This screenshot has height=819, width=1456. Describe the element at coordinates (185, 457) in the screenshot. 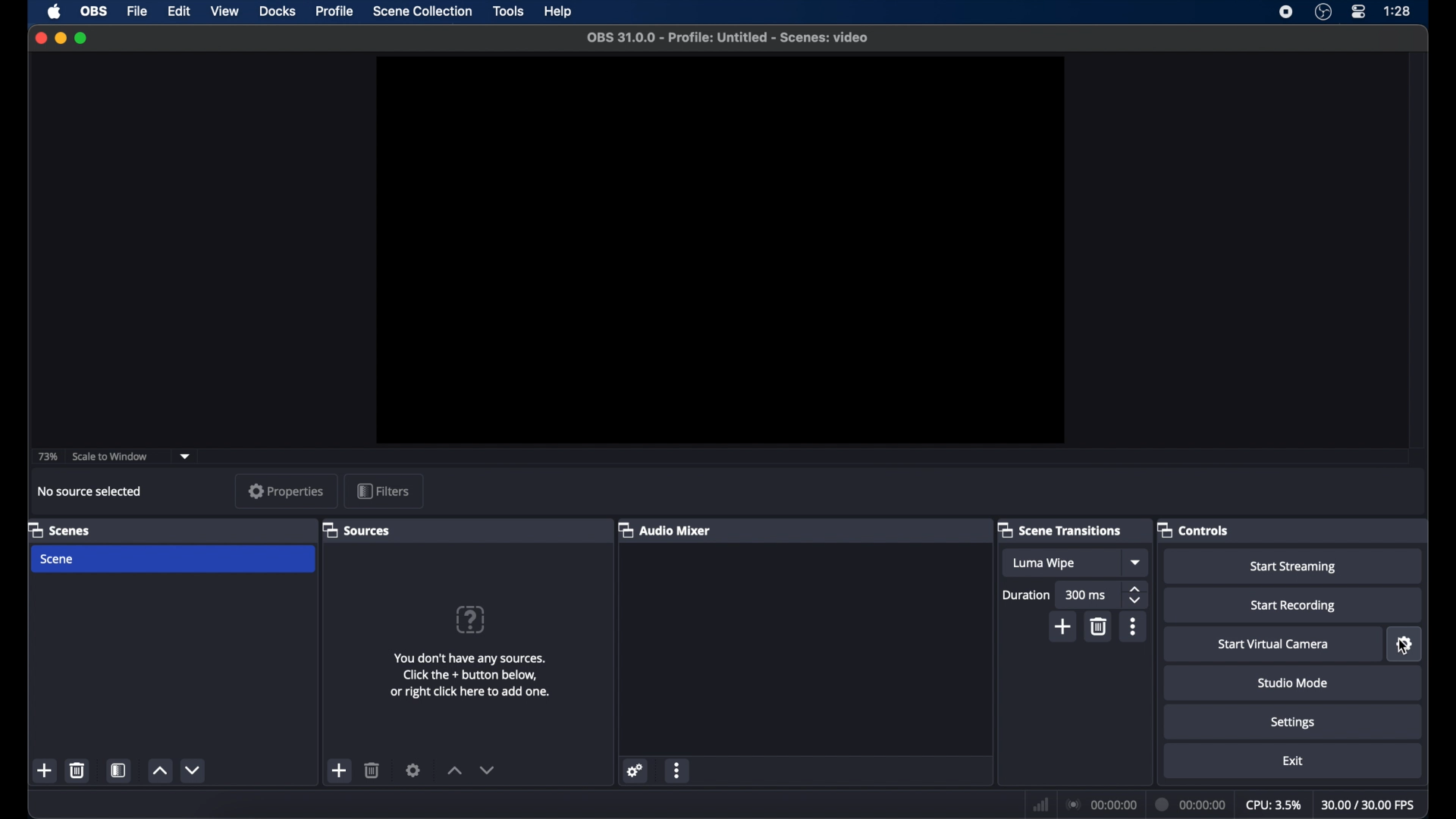

I see `dropdown` at that location.